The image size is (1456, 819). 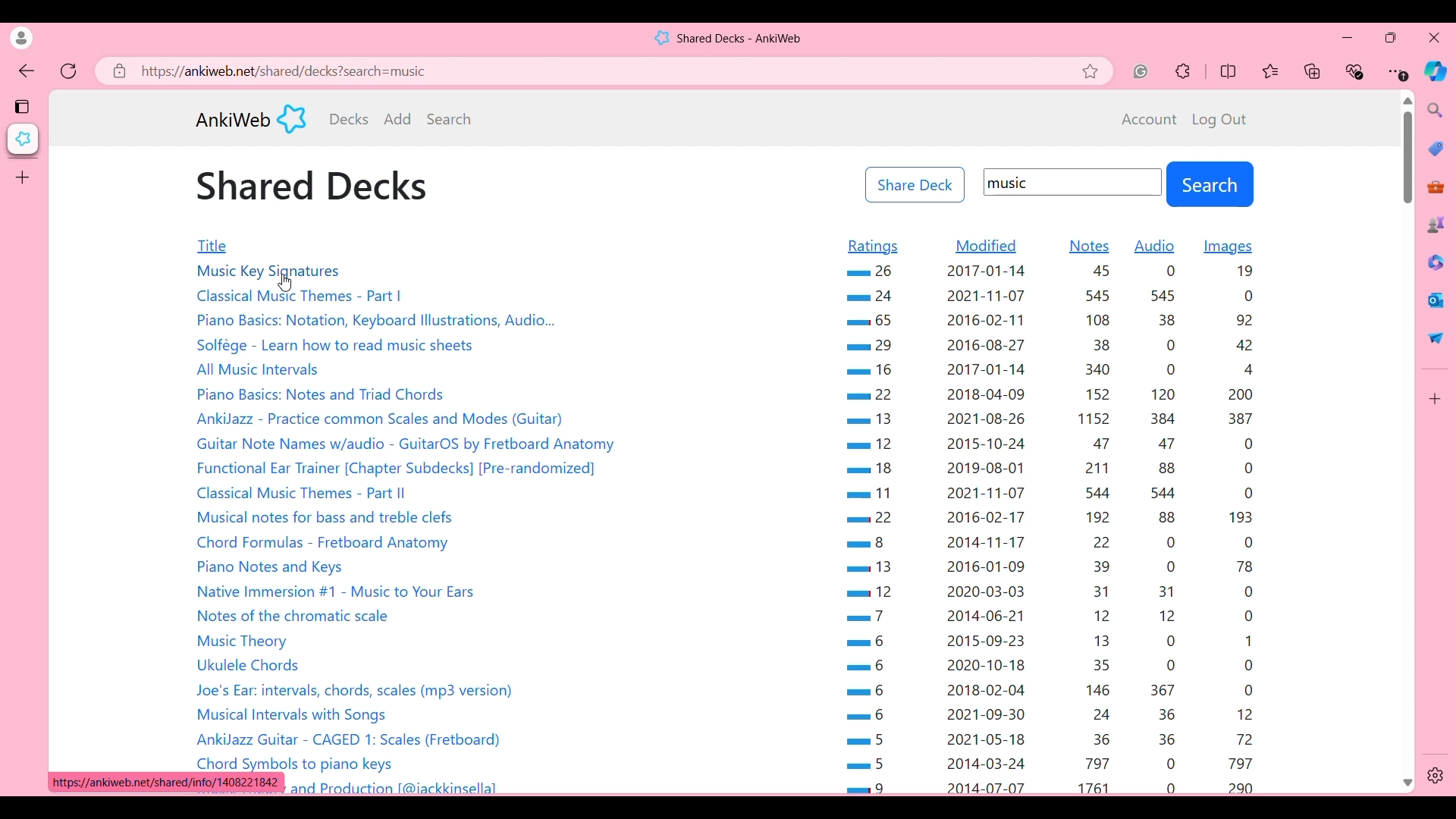 What do you see at coordinates (1050, 519) in the screenshot?
I see `— 22 2016-02-17 192 88 193` at bounding box center [1050, 519].